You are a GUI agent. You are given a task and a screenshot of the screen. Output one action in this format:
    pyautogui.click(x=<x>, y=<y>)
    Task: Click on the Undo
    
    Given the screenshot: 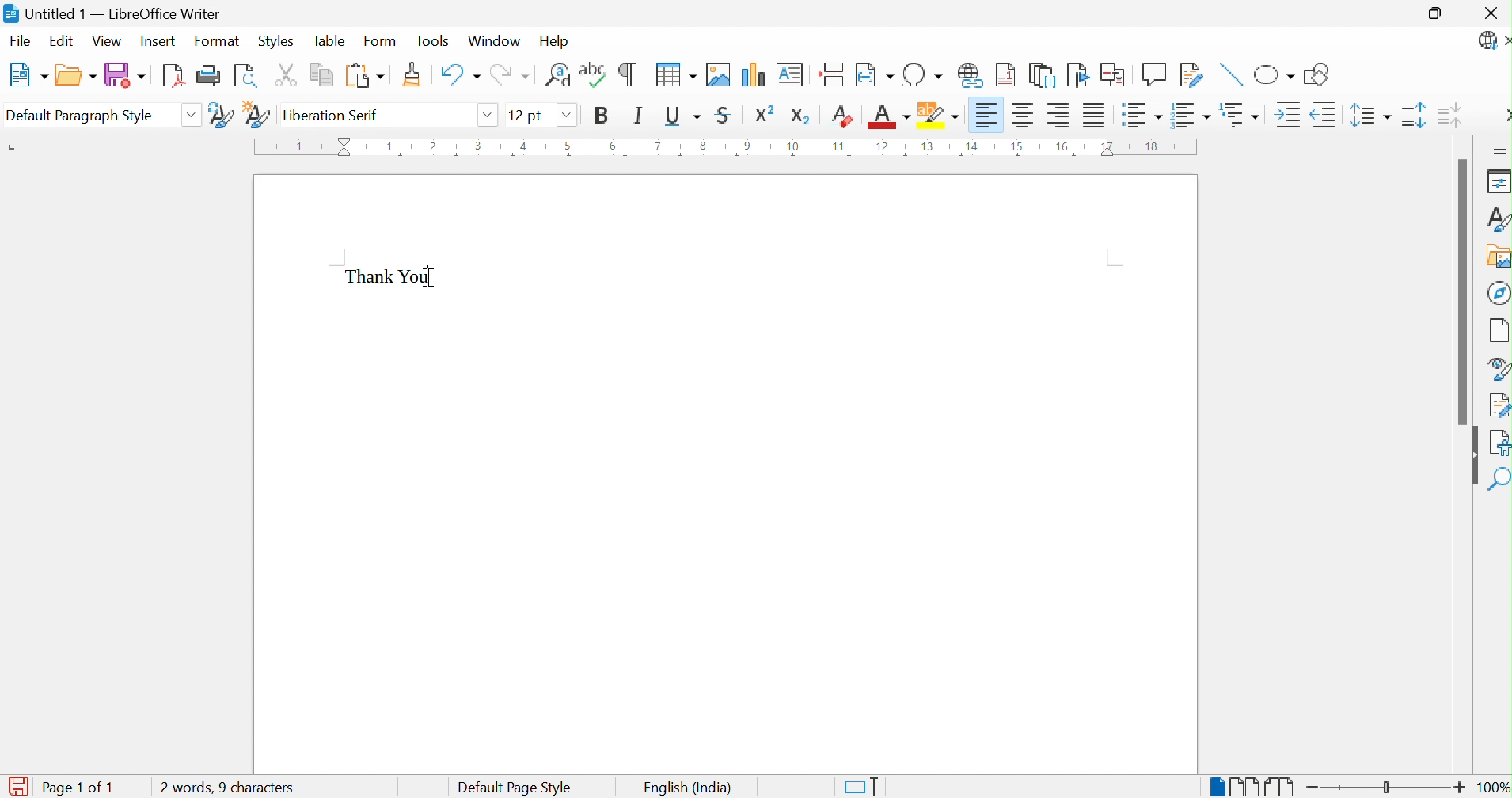 What is the action you would take?
    pyautogui.click(x=460, y=75)
    